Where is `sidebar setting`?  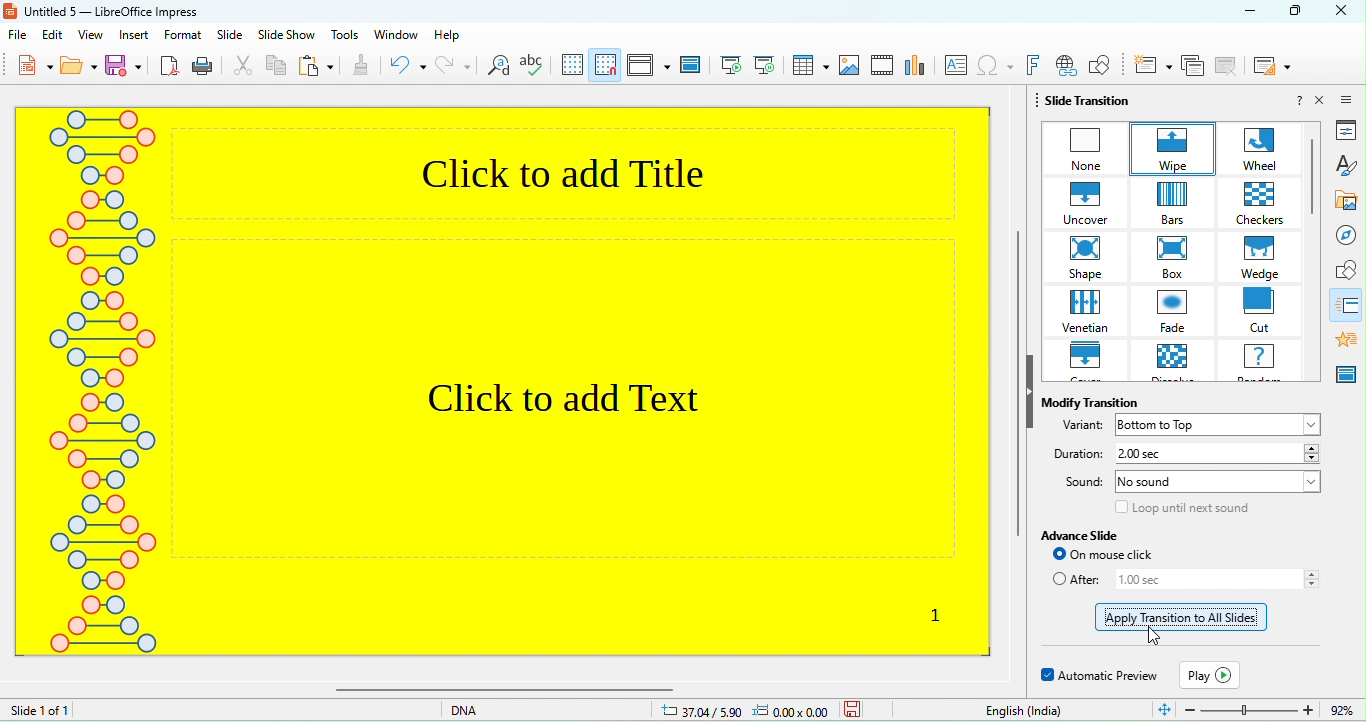
sidebar setting is located at coordinates (1352, 100).